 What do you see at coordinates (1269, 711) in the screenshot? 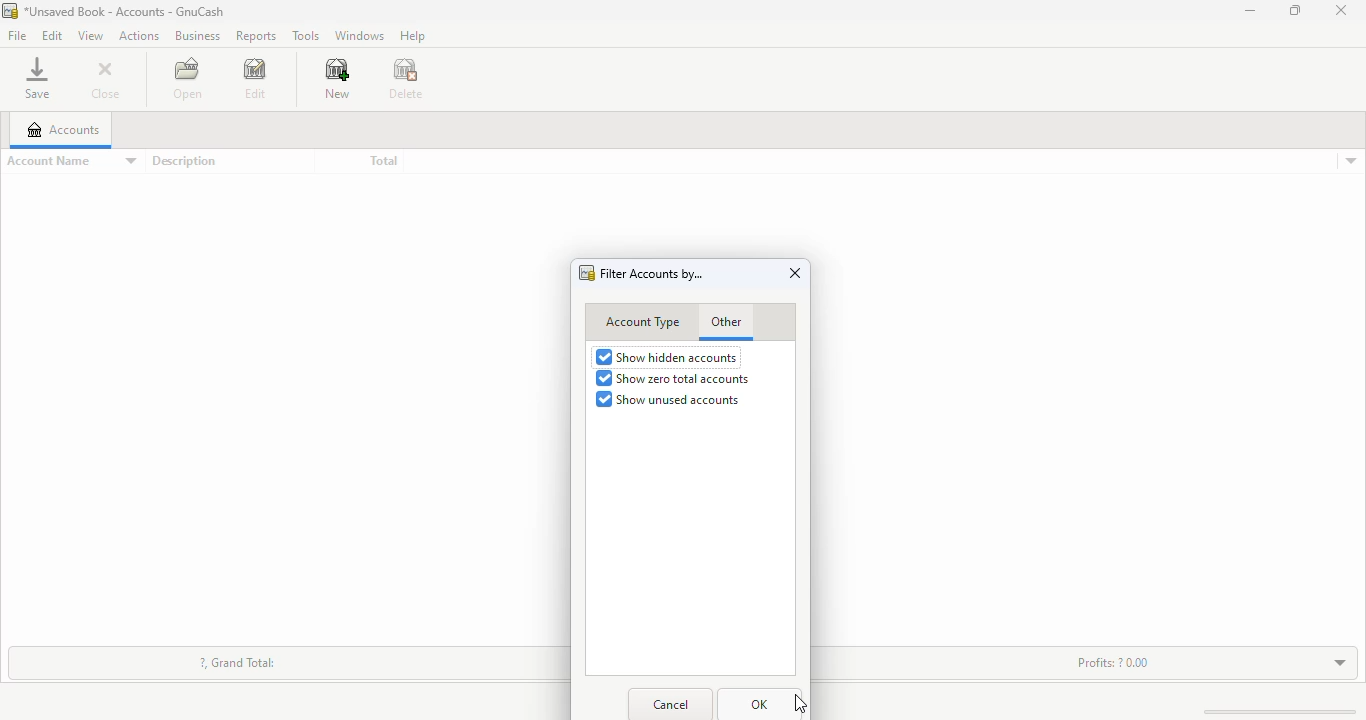
I see `scroll` at bounding box center [1269, 711].